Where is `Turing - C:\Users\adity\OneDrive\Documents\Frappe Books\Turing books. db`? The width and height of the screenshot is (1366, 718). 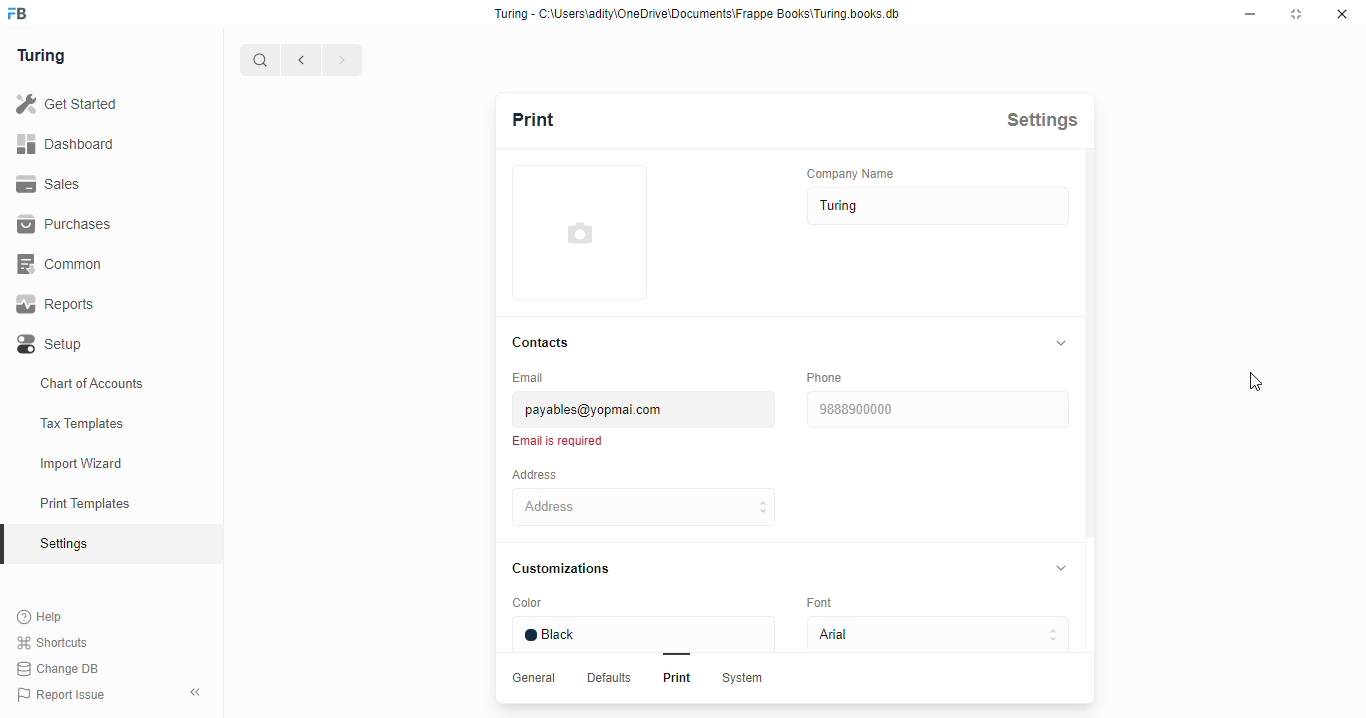
Turing - C:\Users\adity\OneDrive\Documents\Frappe Books\Turing books. db is located at coordinates (702, 14).